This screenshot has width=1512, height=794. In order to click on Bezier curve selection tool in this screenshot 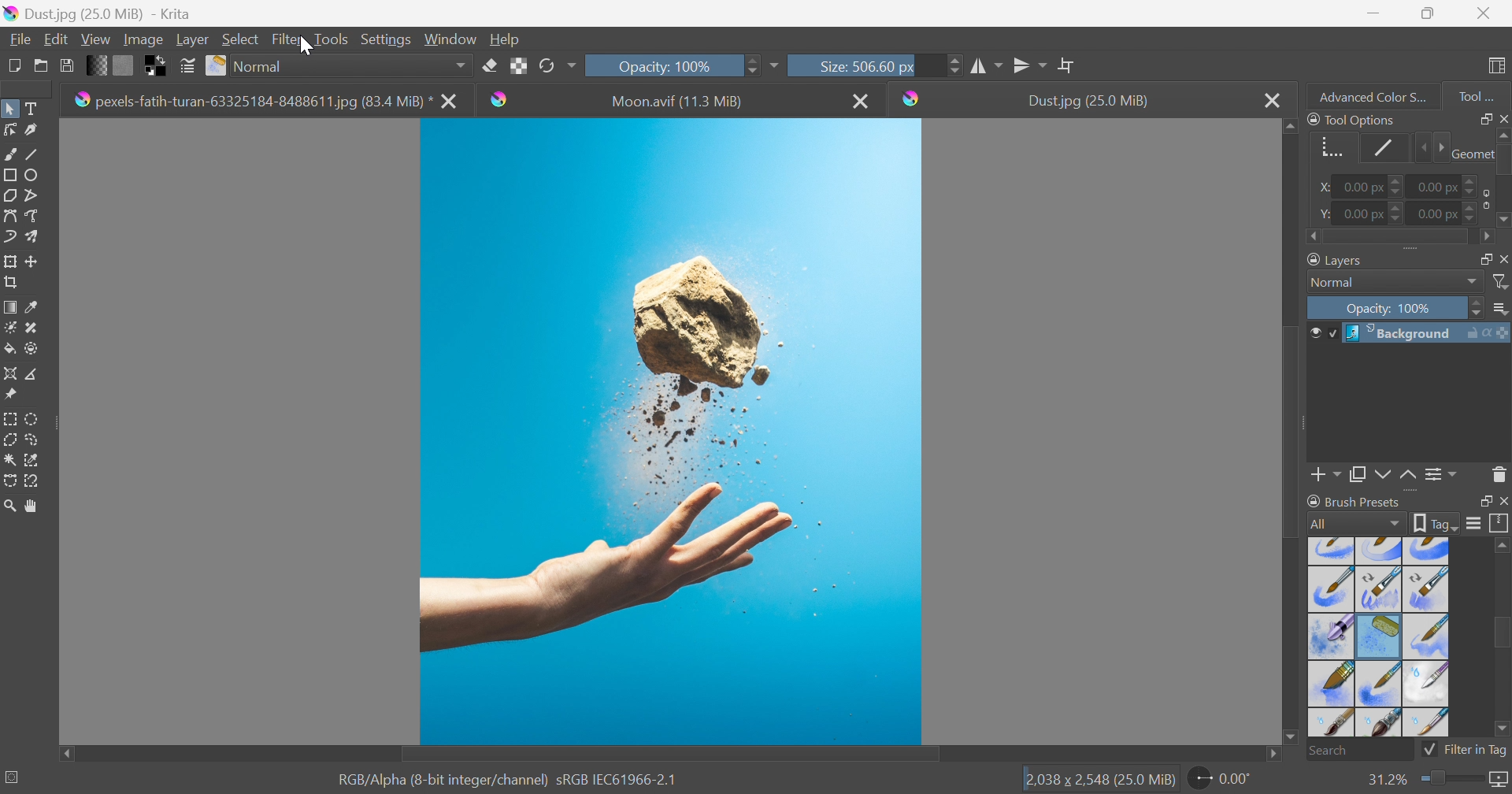, I will do `click(11, 460)`.